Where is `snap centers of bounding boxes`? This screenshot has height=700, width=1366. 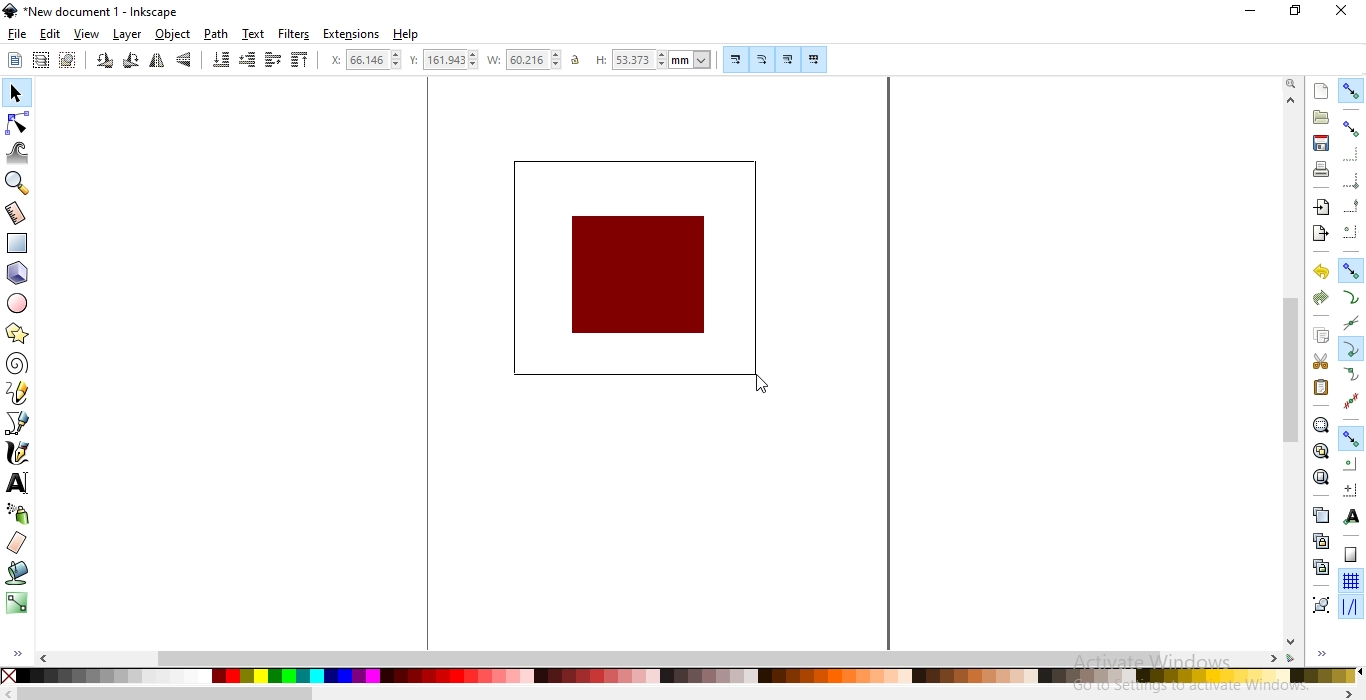
snap centers of bounding boxes is located at coordinates (1352, 231).